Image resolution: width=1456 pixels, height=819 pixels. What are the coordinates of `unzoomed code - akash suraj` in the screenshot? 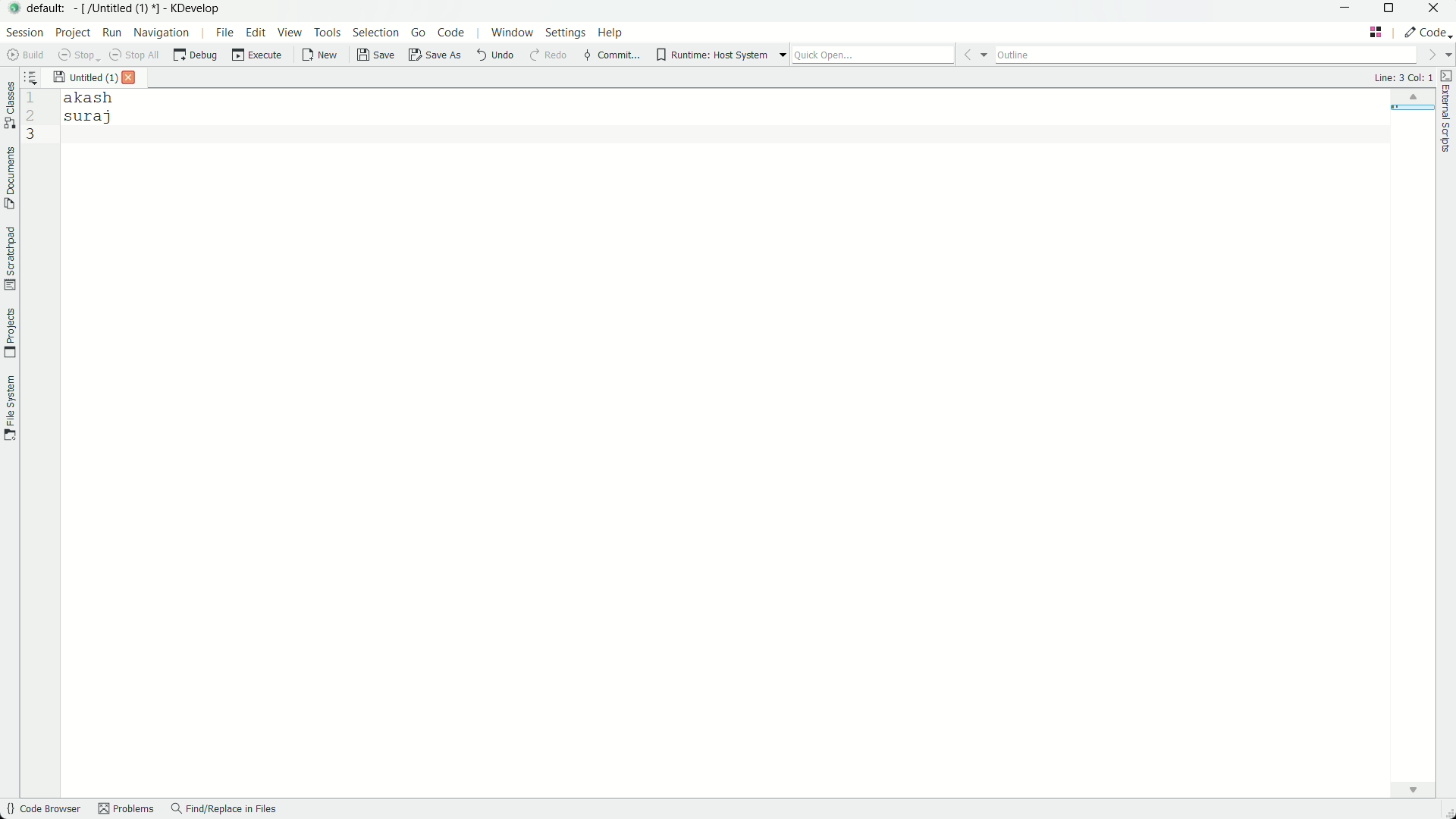 It's located at (95, 109).